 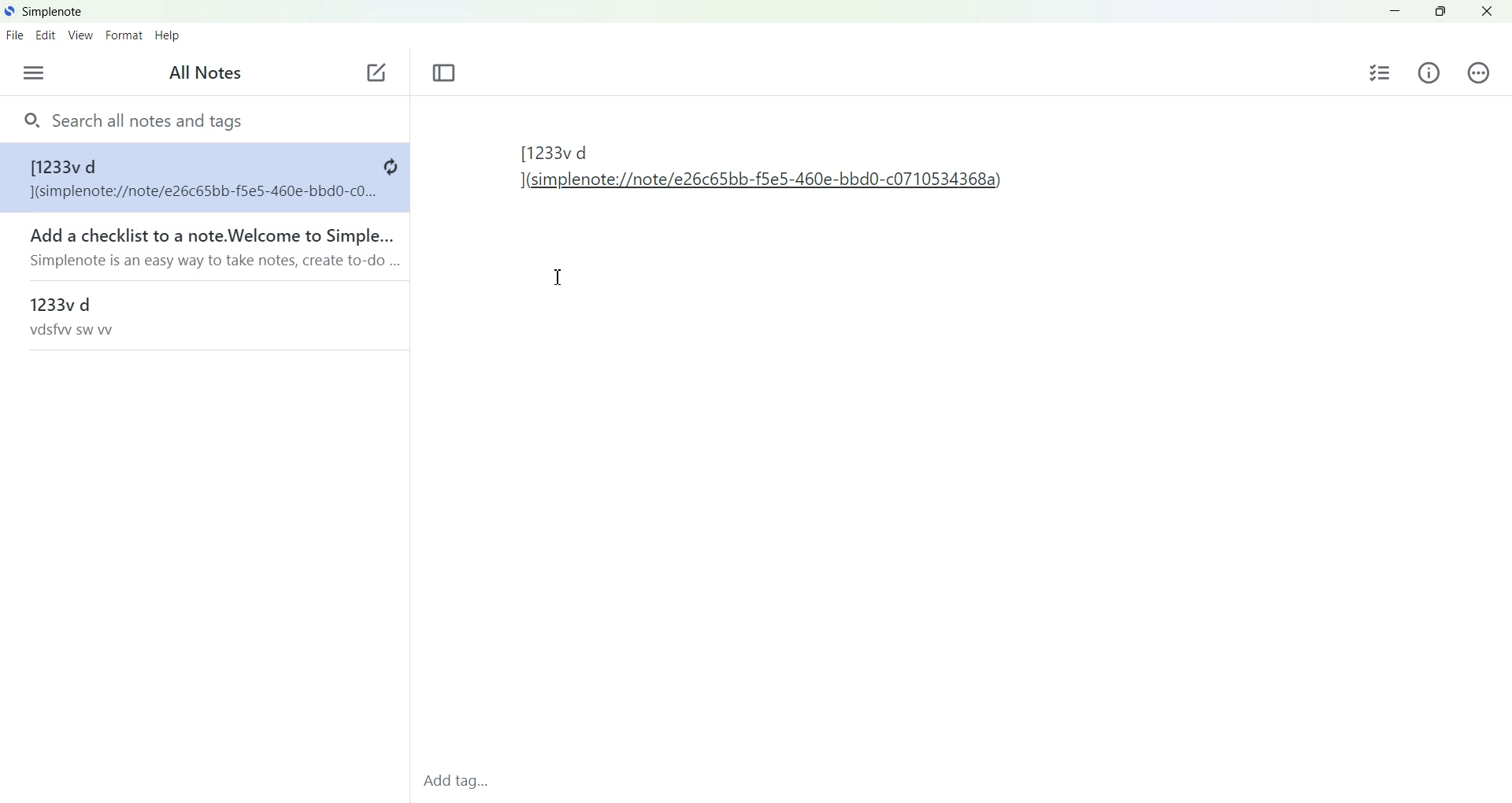 What do you see at coordinates (202, 315) in the screenshot?
I see `1233v d` at bounding box center [202, 315].